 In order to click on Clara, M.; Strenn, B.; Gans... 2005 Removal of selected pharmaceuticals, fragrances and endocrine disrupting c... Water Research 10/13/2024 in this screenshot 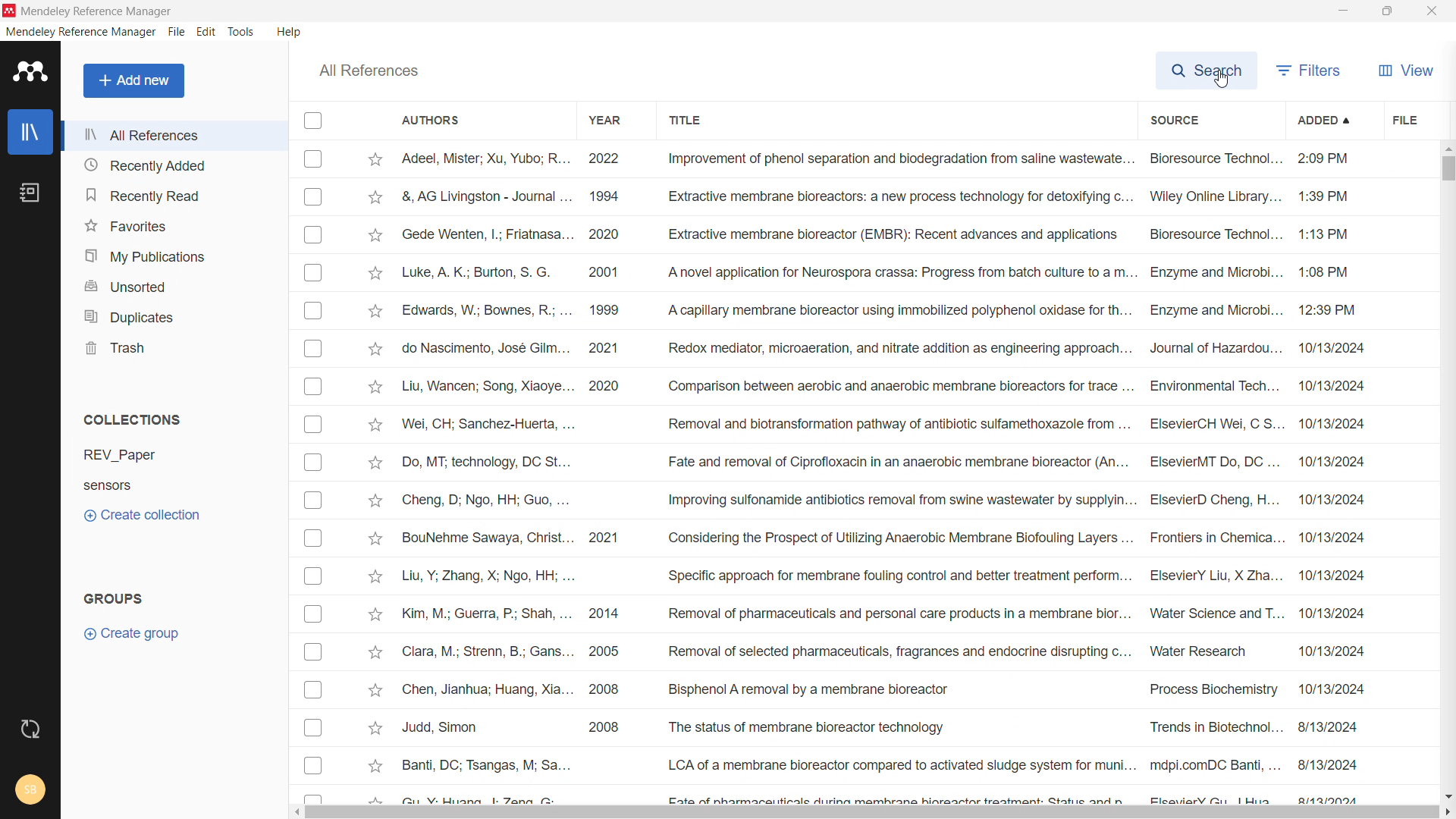, I will do `click(892, 649)`.